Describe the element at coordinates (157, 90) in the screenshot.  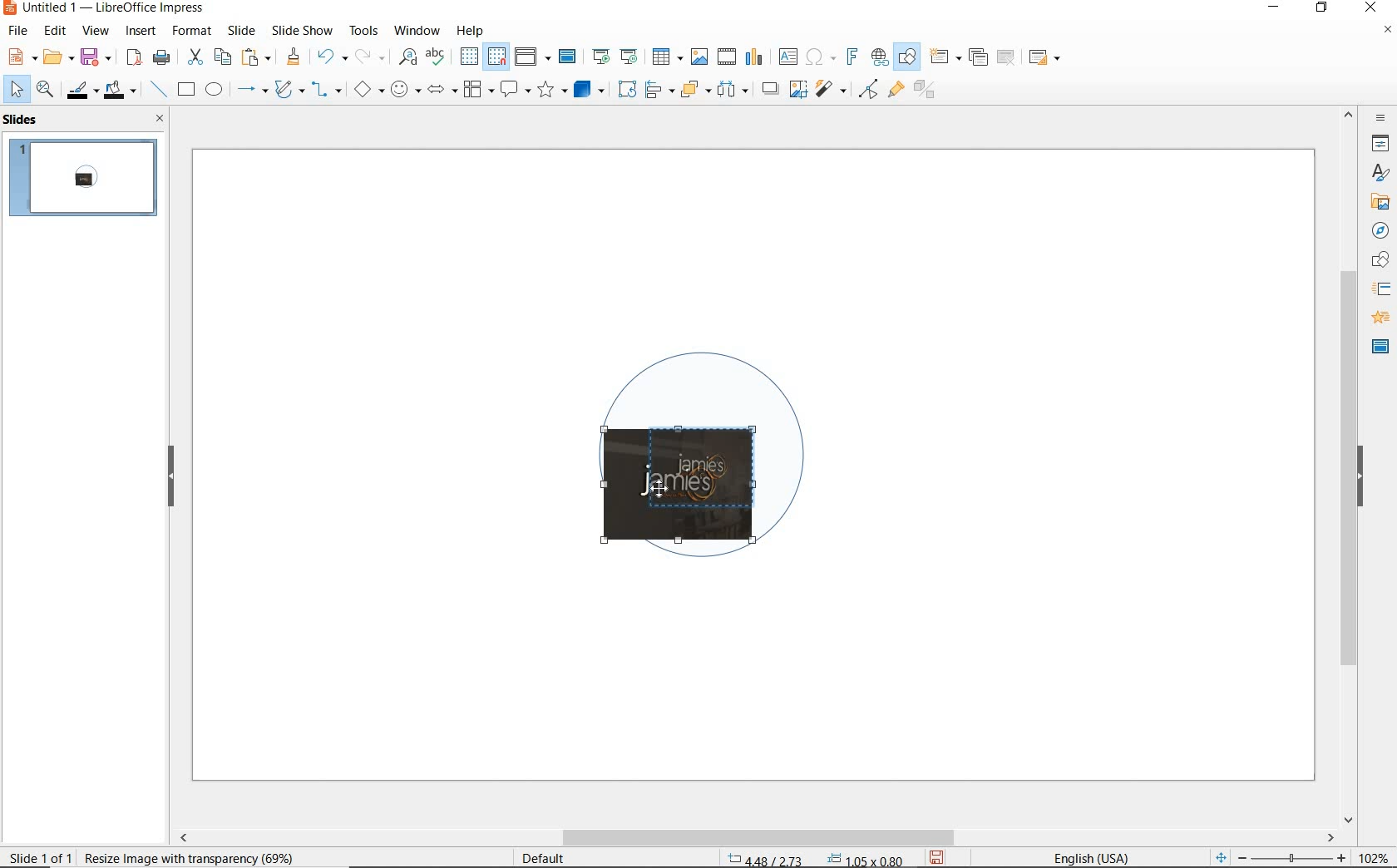
I see `insert line` at that location.